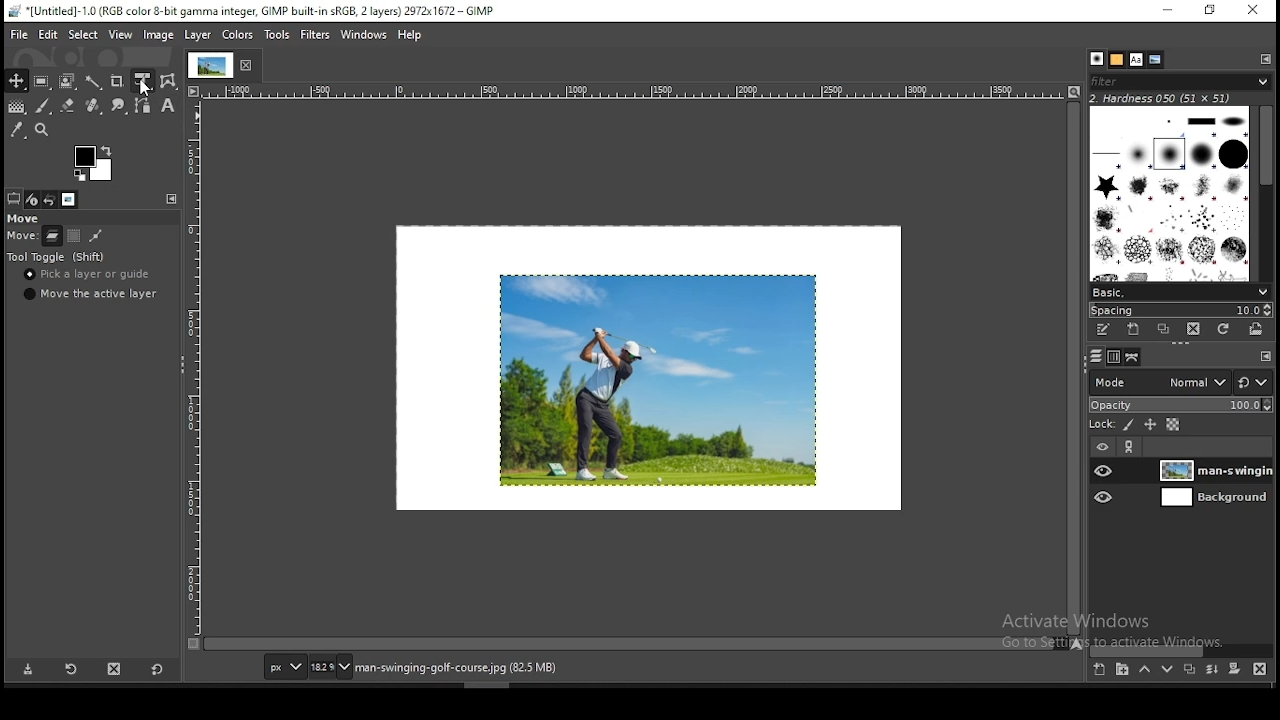 This screenshot has height=720, width=1280. What do you see at coordinates (455, 668) in the screenshot?
I see `man-swinging-golf-course.jpg (82.5)` at bounding box center [455, 668].